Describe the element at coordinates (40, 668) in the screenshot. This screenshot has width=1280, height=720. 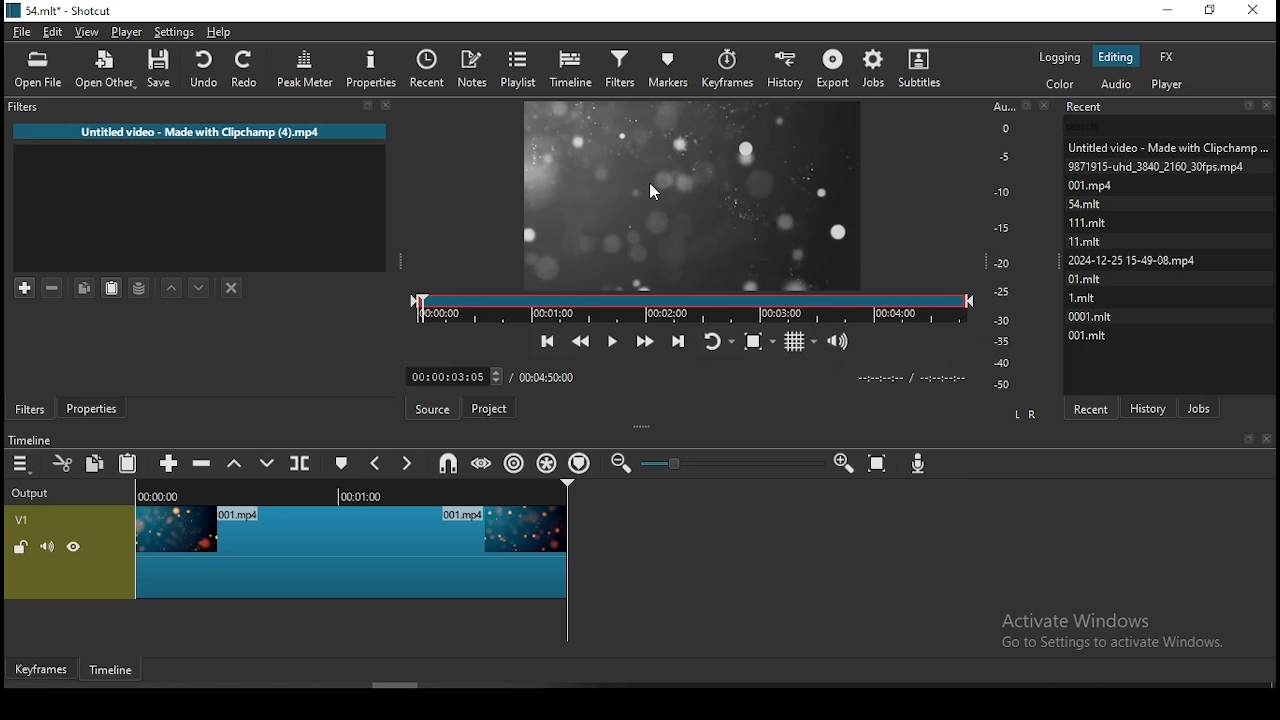
I see `keyframe` at that location.